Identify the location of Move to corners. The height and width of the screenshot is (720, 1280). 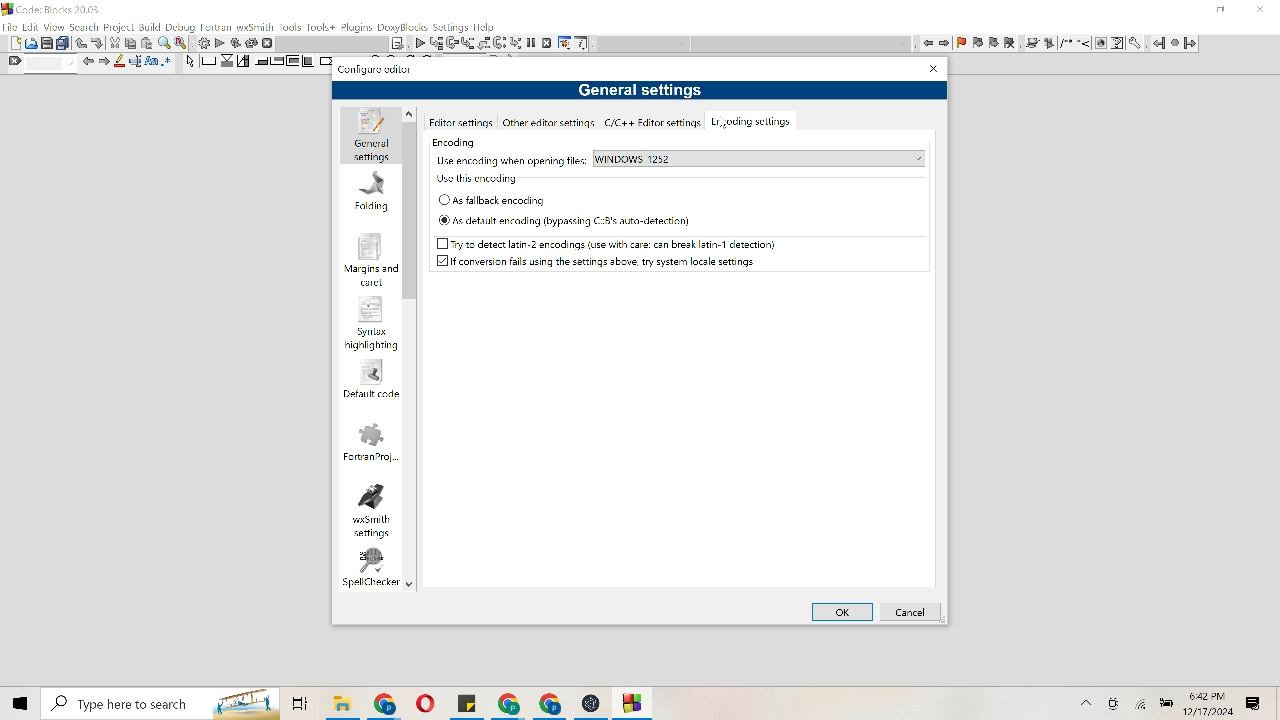
(260, 61).